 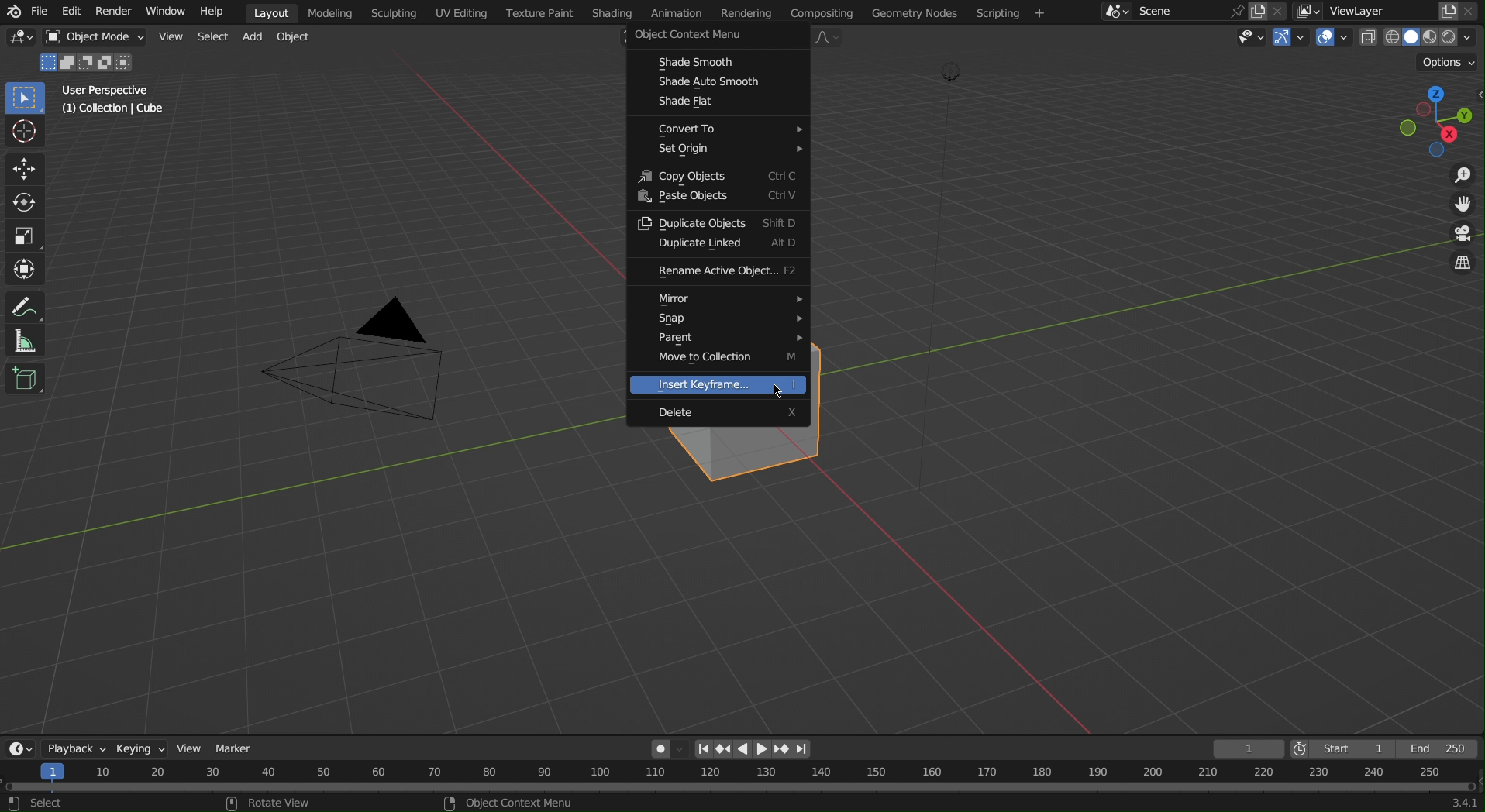 What do you see at coordinates (19, 36) in the screenshot?
I see `Editor Type` at bounding box center [19, 36].